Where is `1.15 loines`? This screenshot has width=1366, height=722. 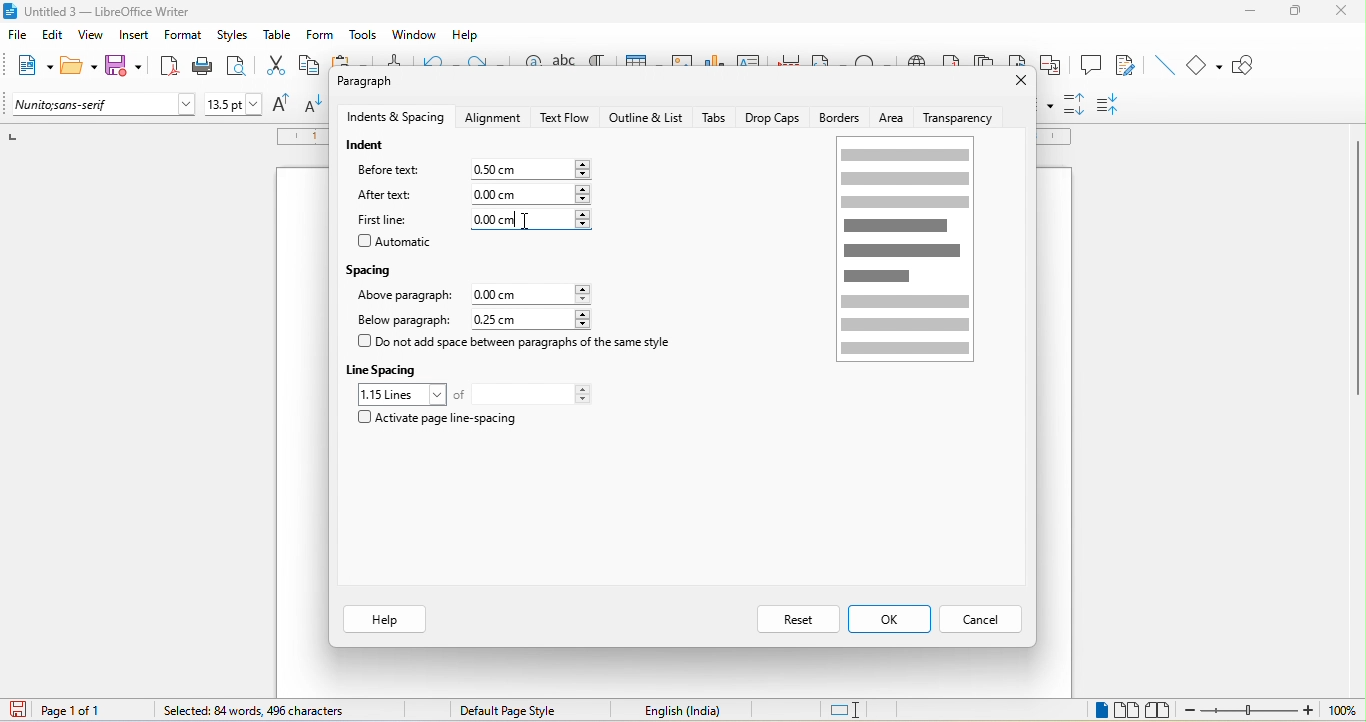
1.15 loines is located at coordinates (401, 393).